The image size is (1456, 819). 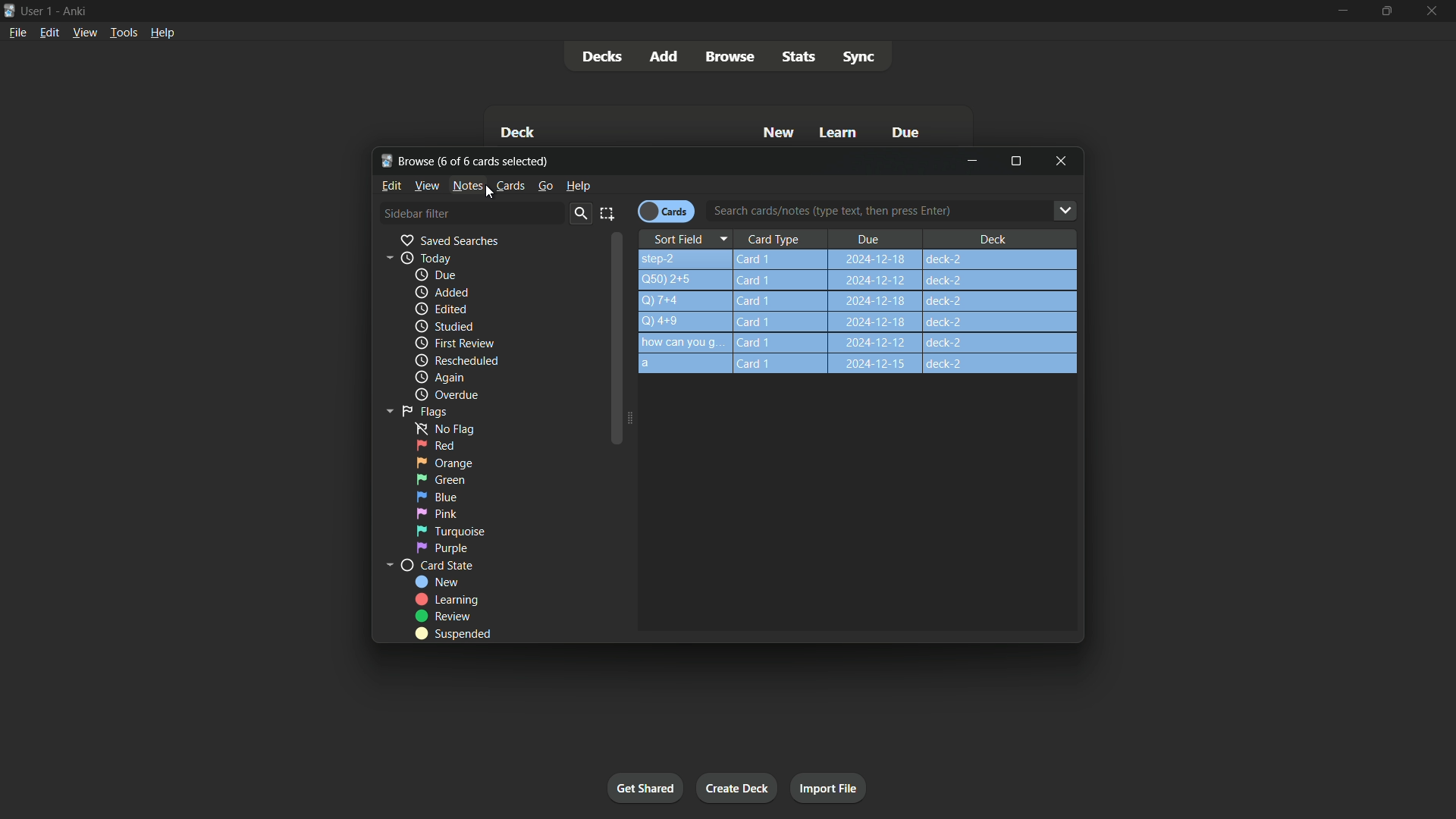 What do you see at coordinates (440, 428) in the screenshot?
I see `no flag` at bounding box center [440, 428].